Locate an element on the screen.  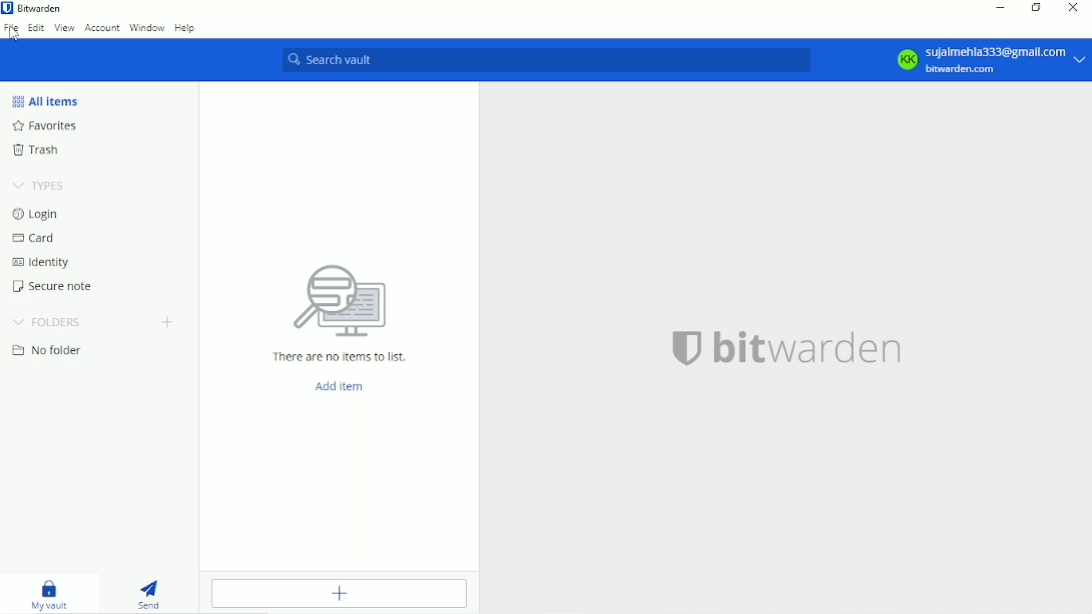
KK sujalmehla333@gmail.com     bitwarden.com is located at coordinates (988, 60).